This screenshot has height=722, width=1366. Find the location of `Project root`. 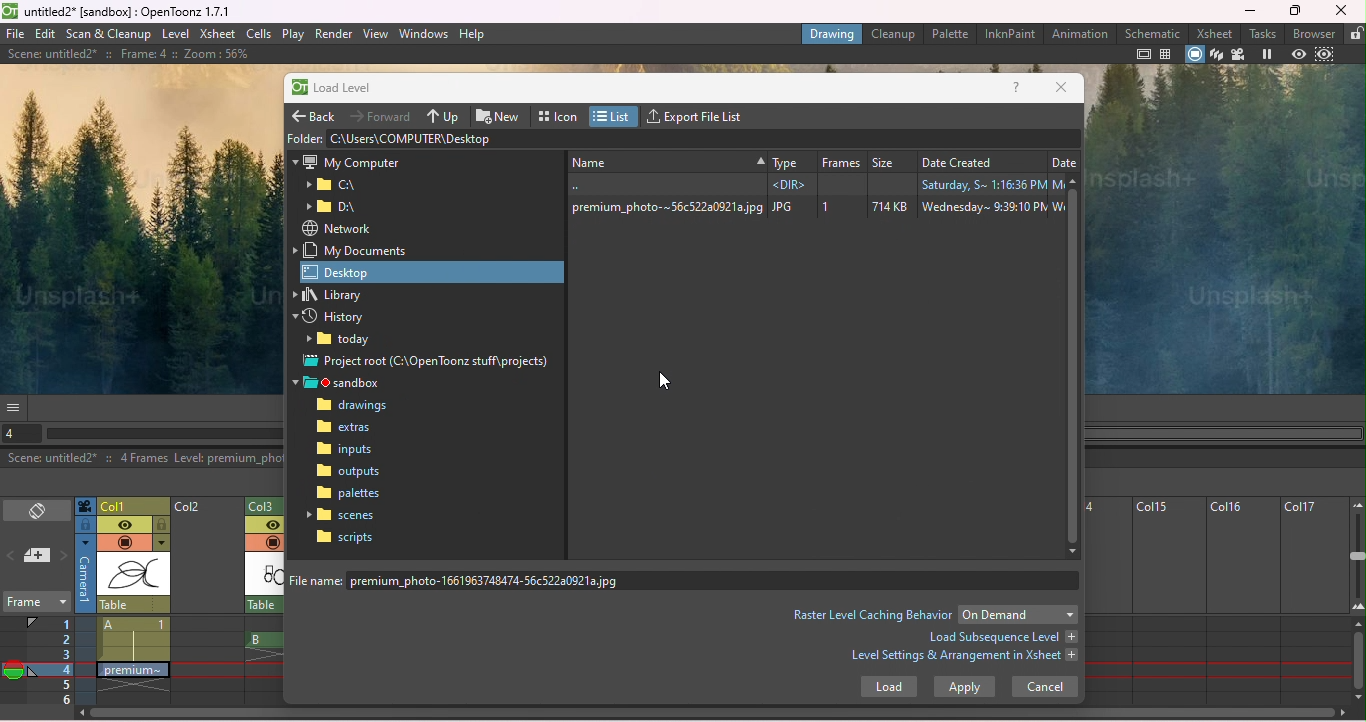

Project root is located at coordinates (428, 363).